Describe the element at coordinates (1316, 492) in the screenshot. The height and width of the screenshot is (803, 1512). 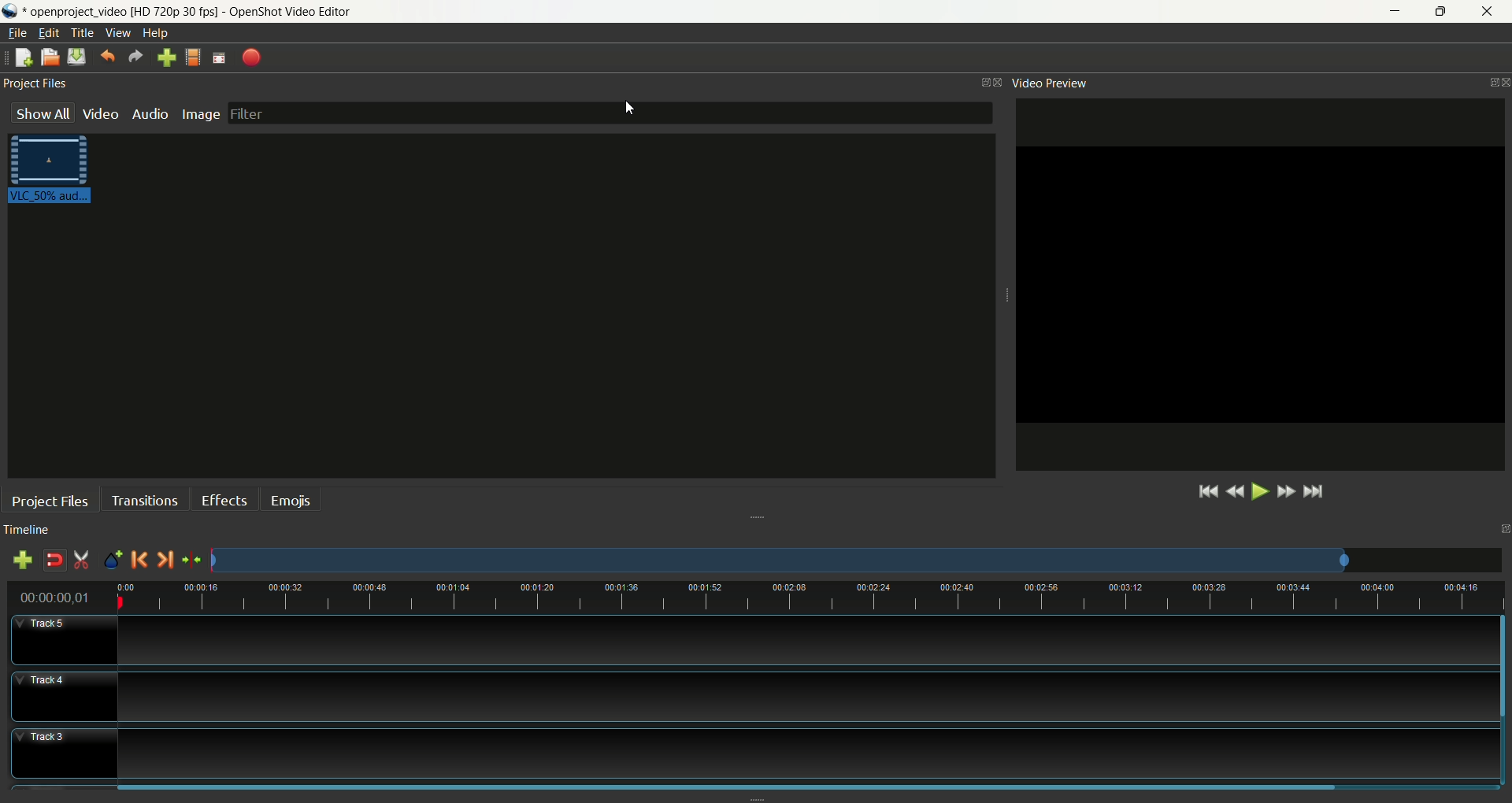
I see `jump to end` at that location.